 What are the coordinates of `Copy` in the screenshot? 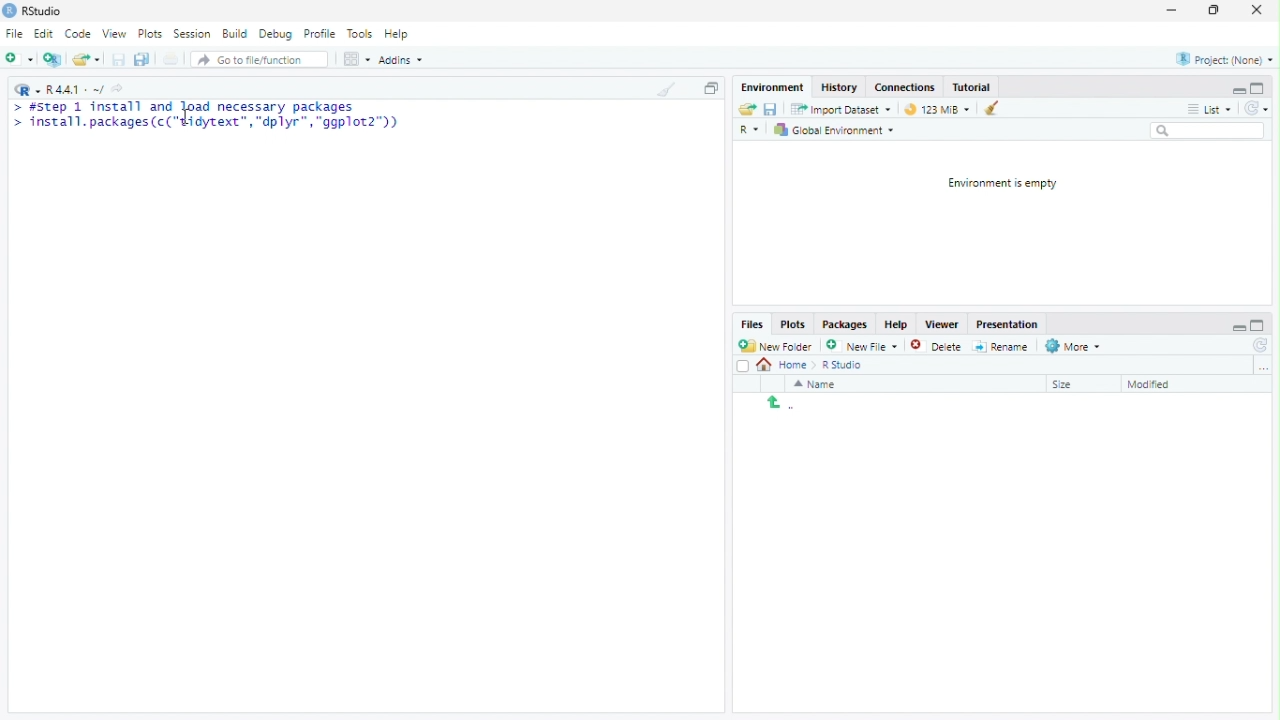 It's located at (711, 87).